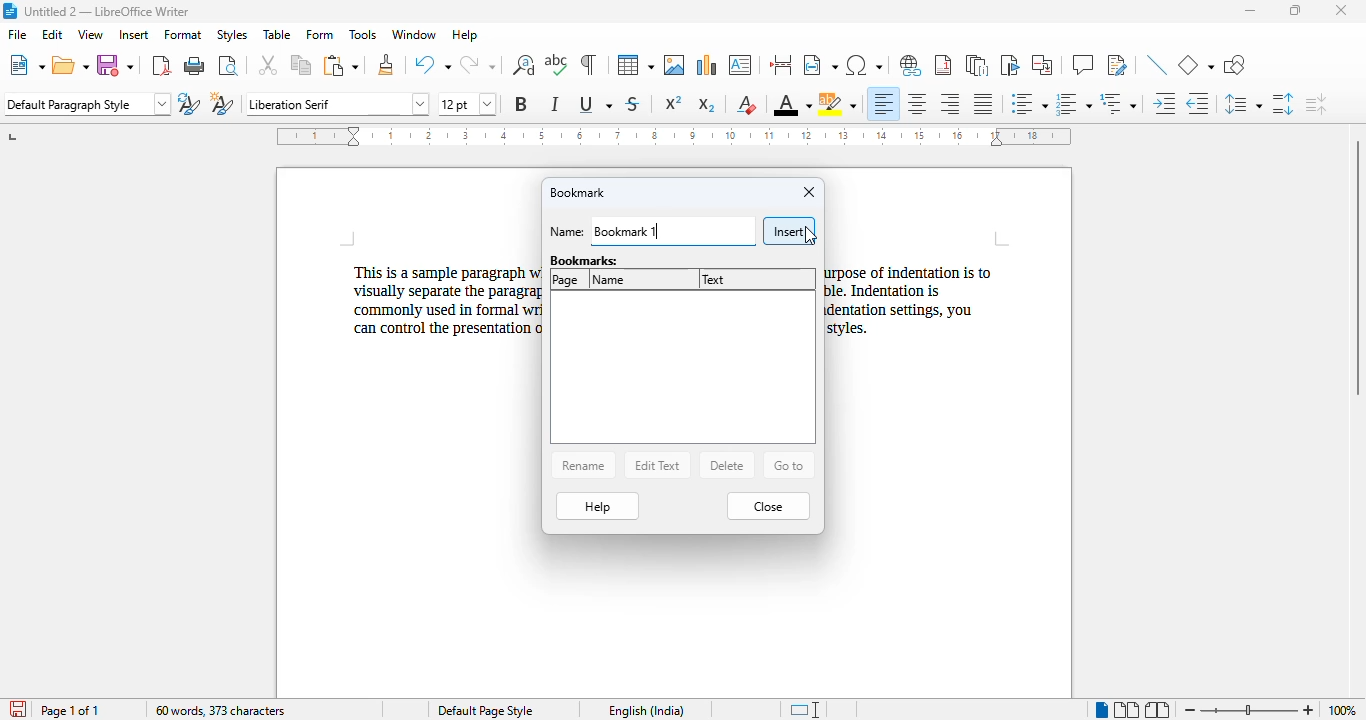 The image size is (1366, 720). What do you see at coordinates (943, 65) in the screenshot?
I see `insert footnote` at bounding box center [943, 65].